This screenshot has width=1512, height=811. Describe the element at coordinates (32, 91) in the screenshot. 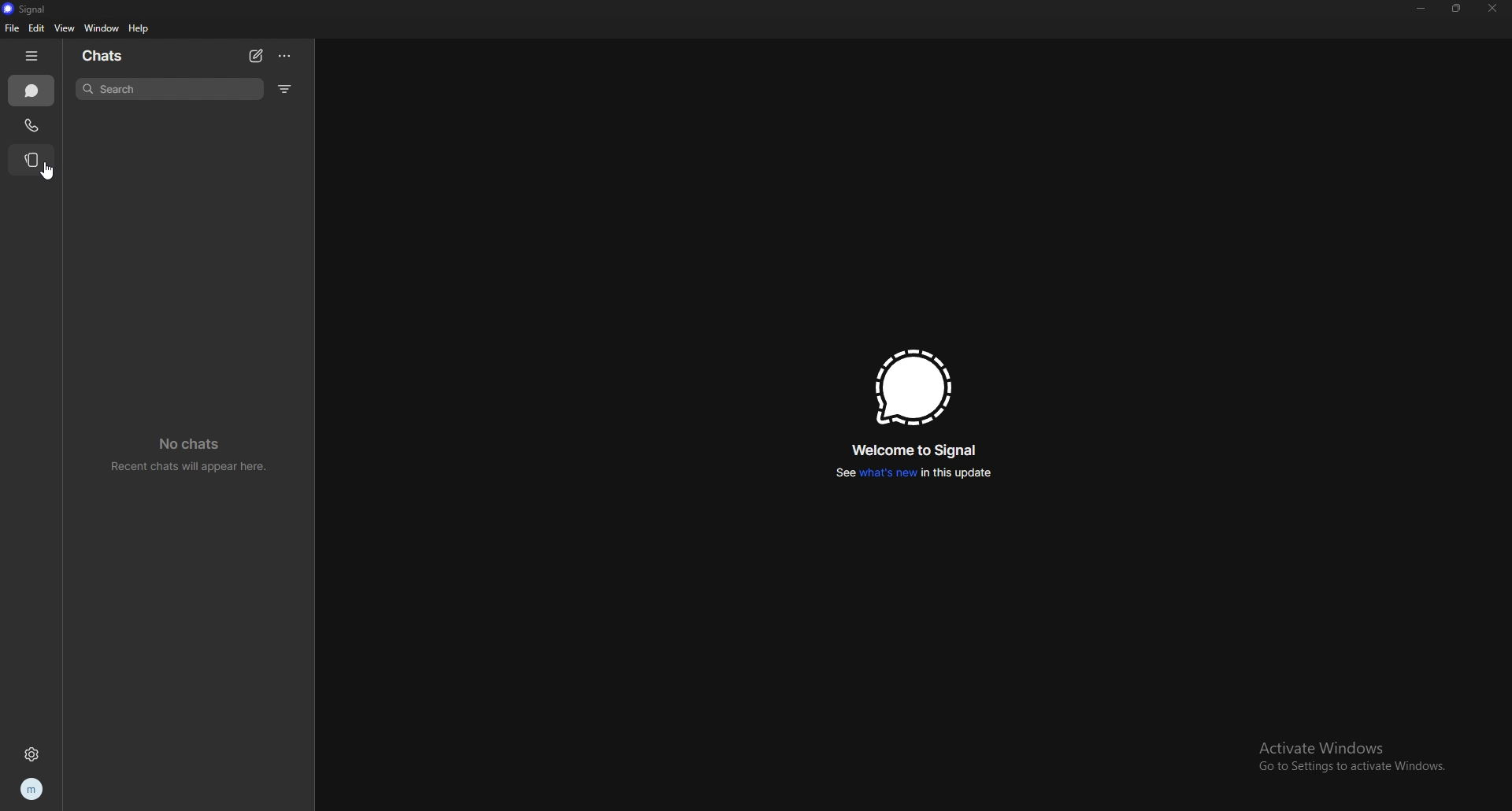

I see `chats` at that location.